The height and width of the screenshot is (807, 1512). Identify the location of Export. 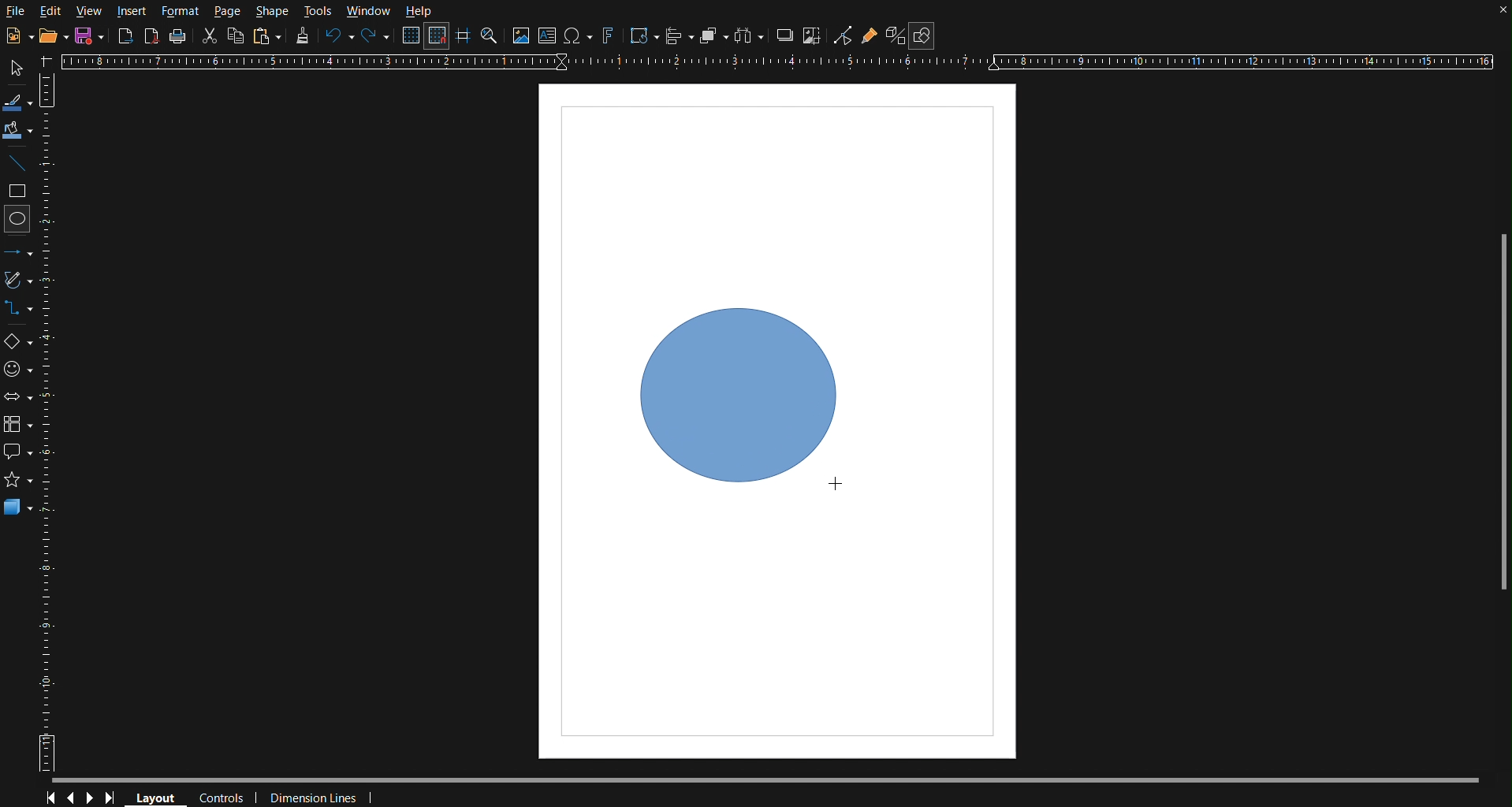
(125, 36).